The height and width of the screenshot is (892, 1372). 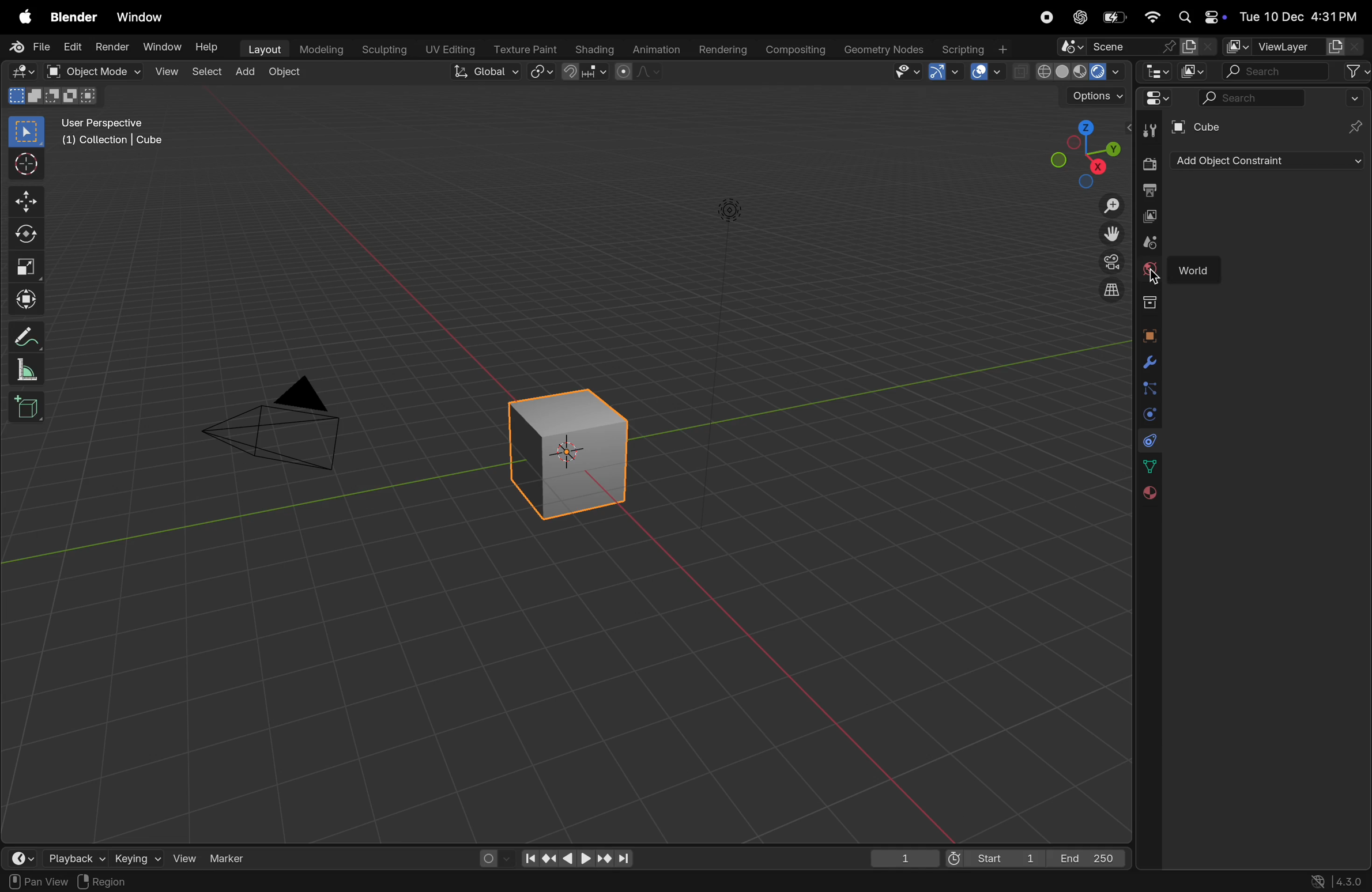 What do you see at coordinates (1356, 127) in the screenshot?
I see `pin` at bounding box center [1356, 127].